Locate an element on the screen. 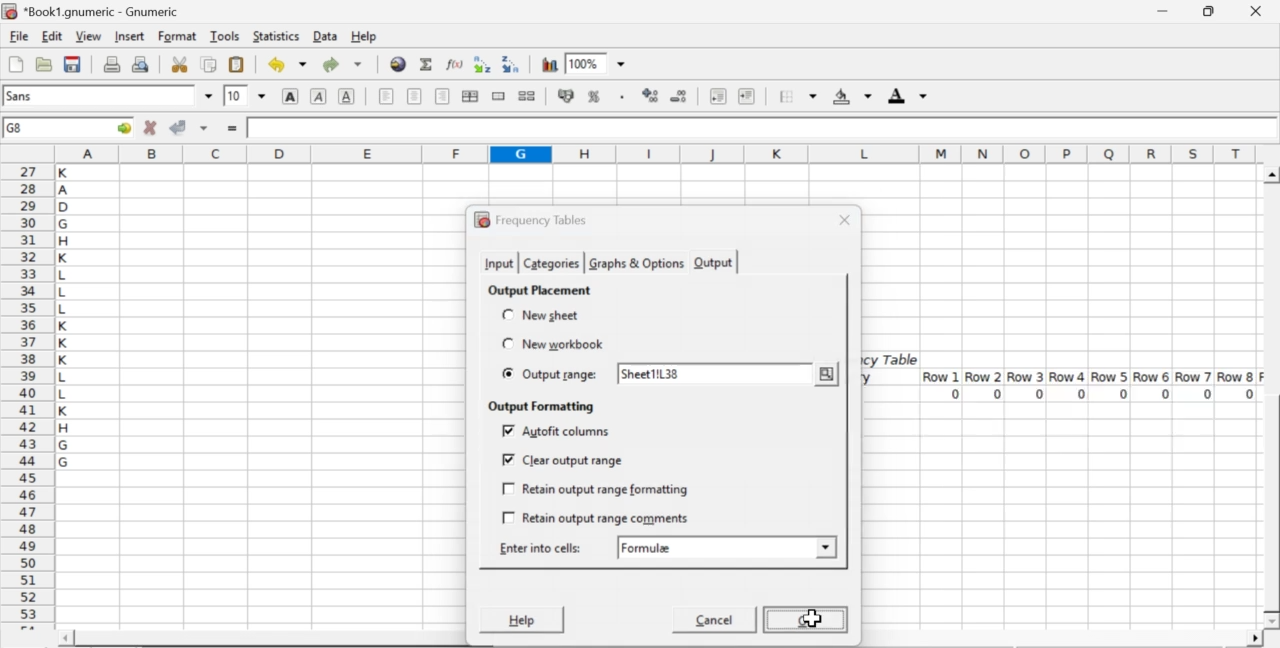 The height and width of the screenshot is (648, 1280). drop down is located at coordinates (826, 545).